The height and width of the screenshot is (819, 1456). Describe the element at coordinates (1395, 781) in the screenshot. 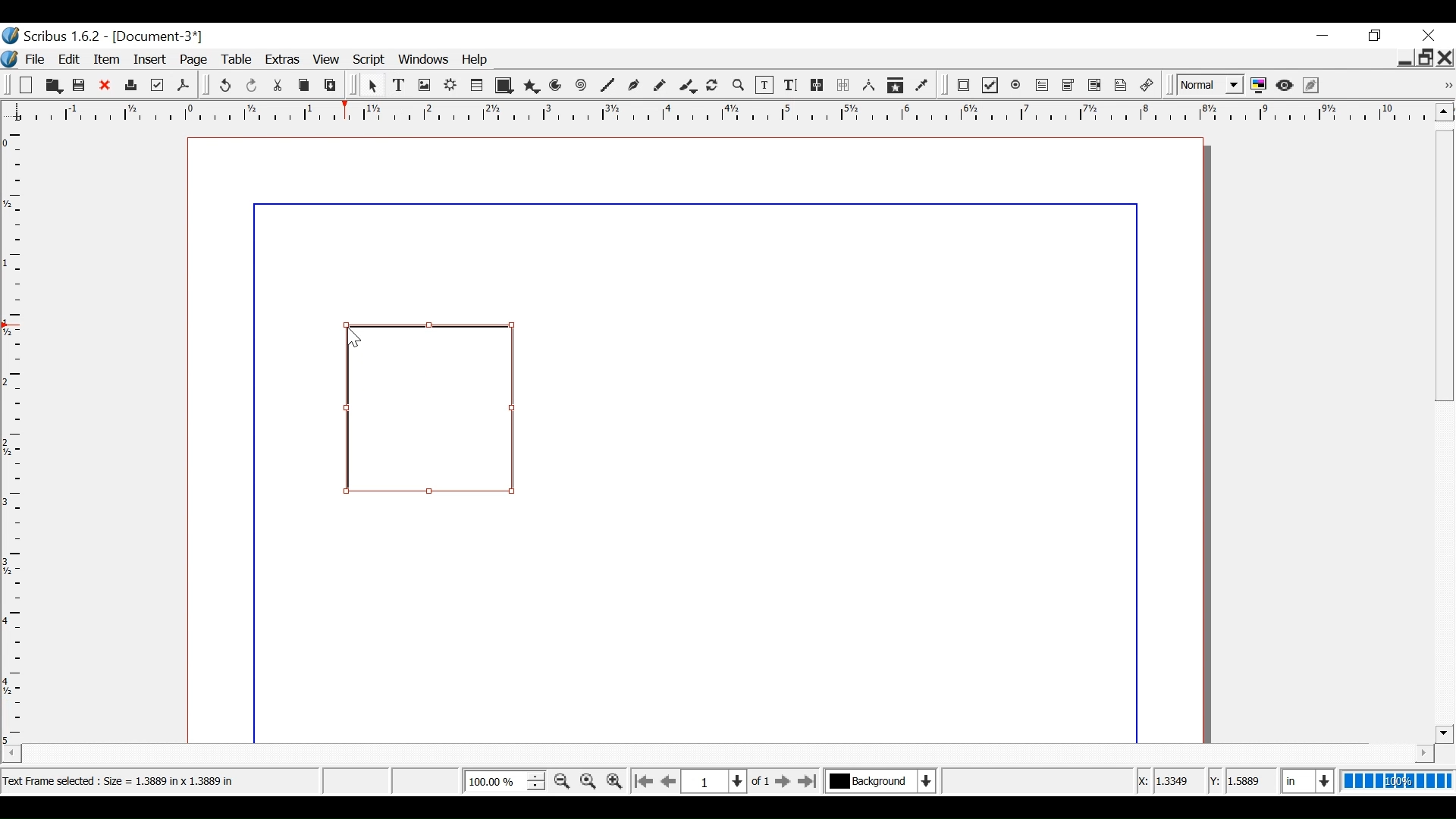

I see `100%` at that location.